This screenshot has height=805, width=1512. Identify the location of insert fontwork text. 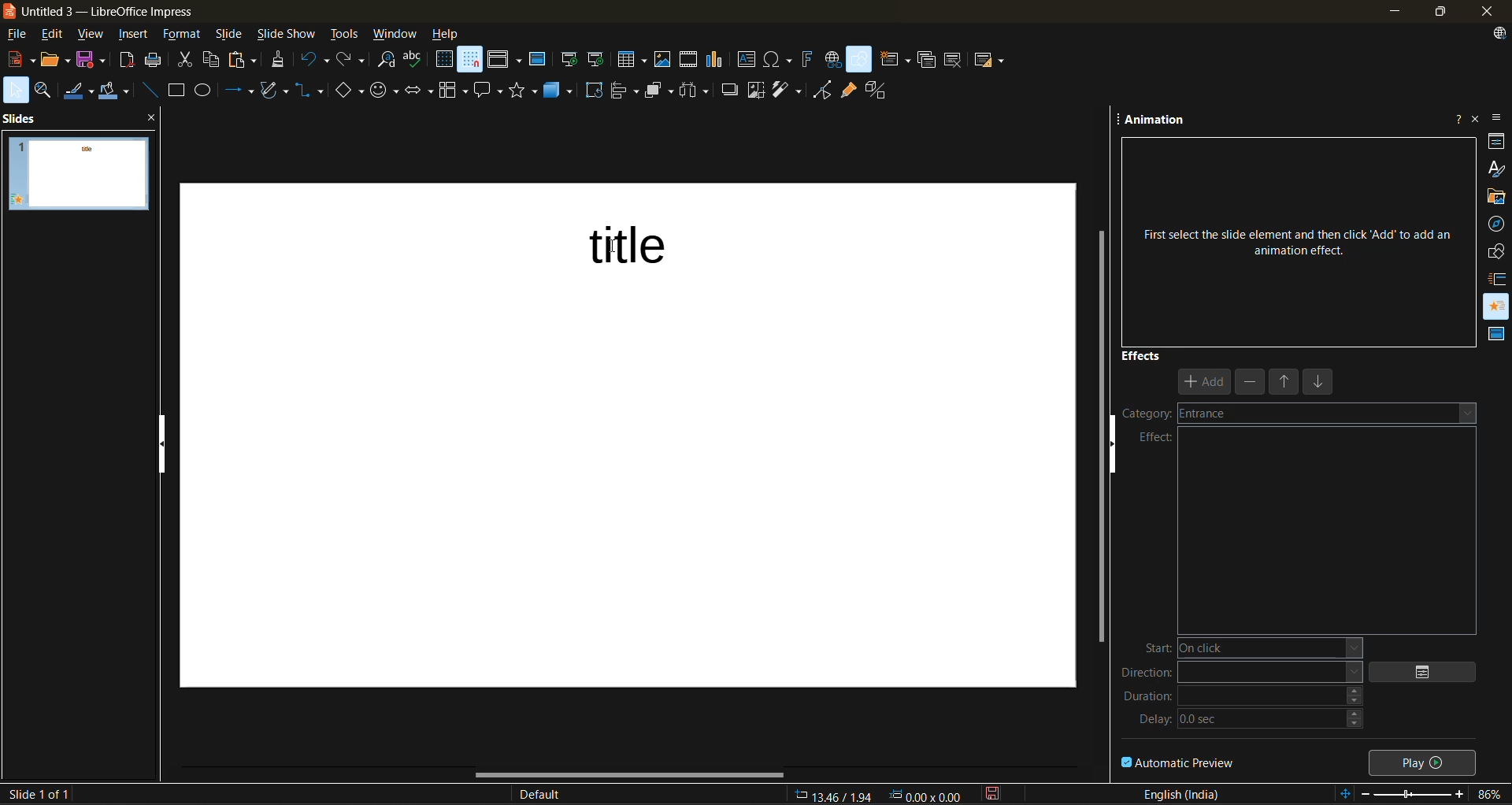
(807, 59).